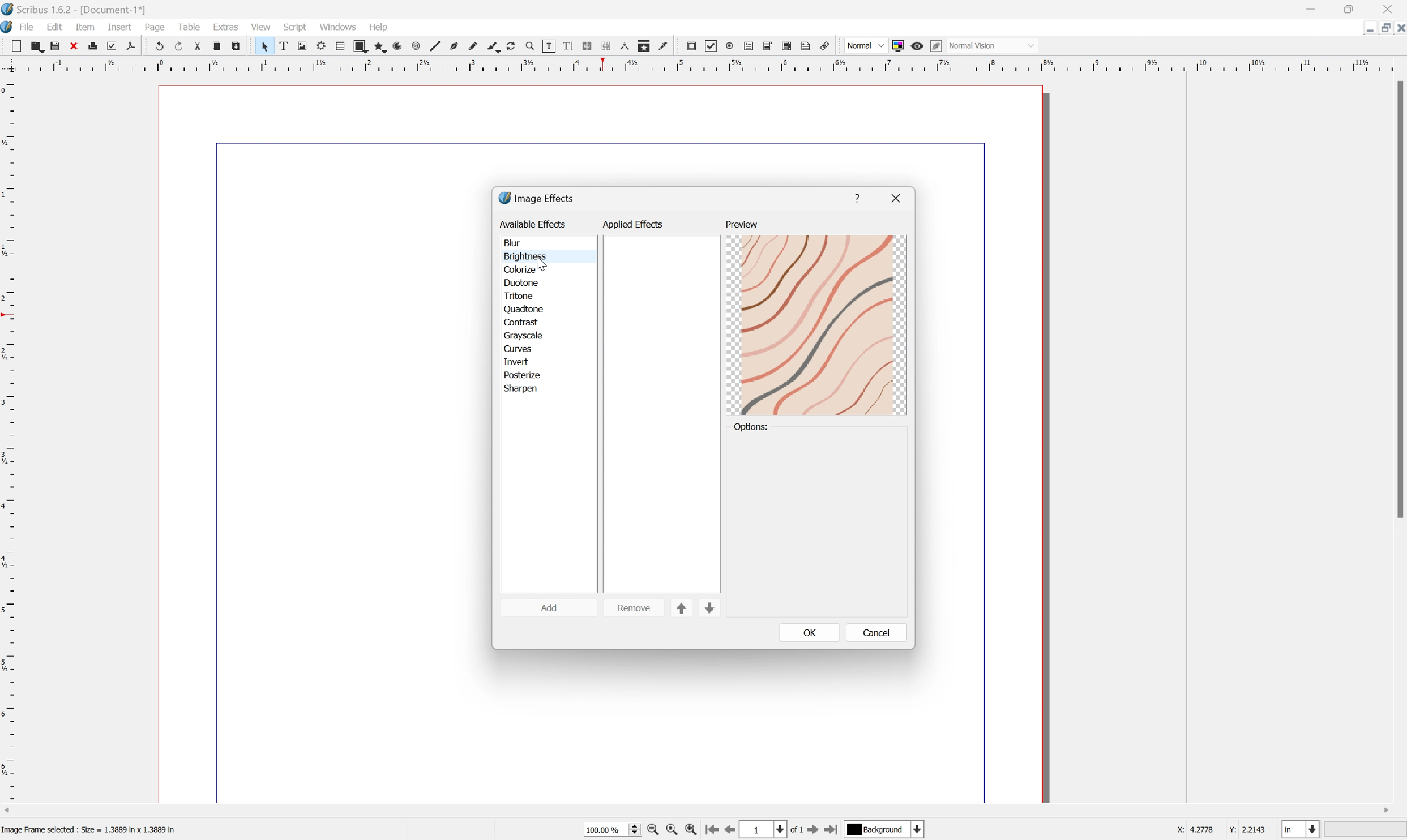  Describe the element at coordinates (537, 198) in the screenshot. I see `image effects` at that location.